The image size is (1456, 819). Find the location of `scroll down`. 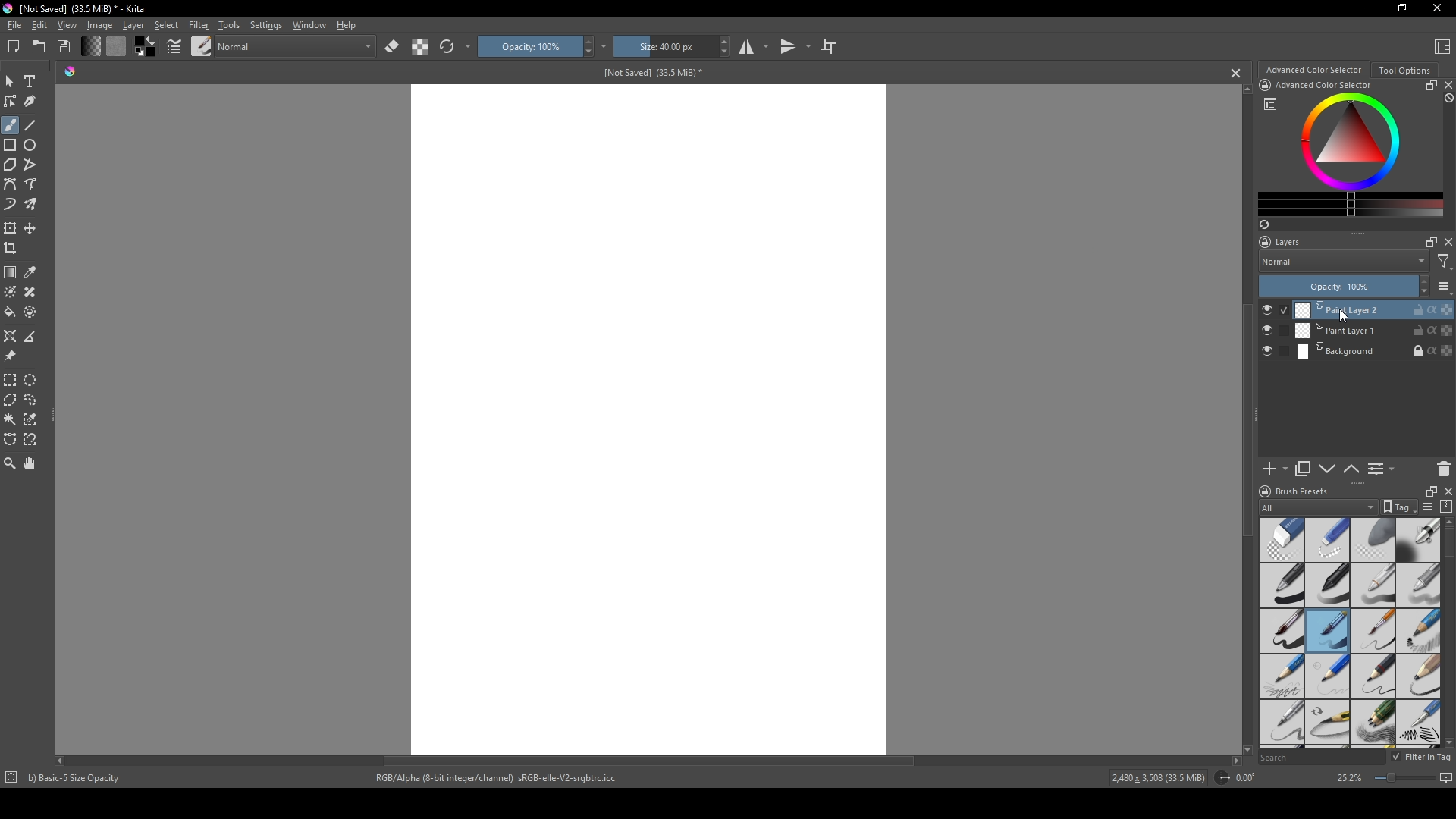

scroll down is located at coordinates (1244, 748).